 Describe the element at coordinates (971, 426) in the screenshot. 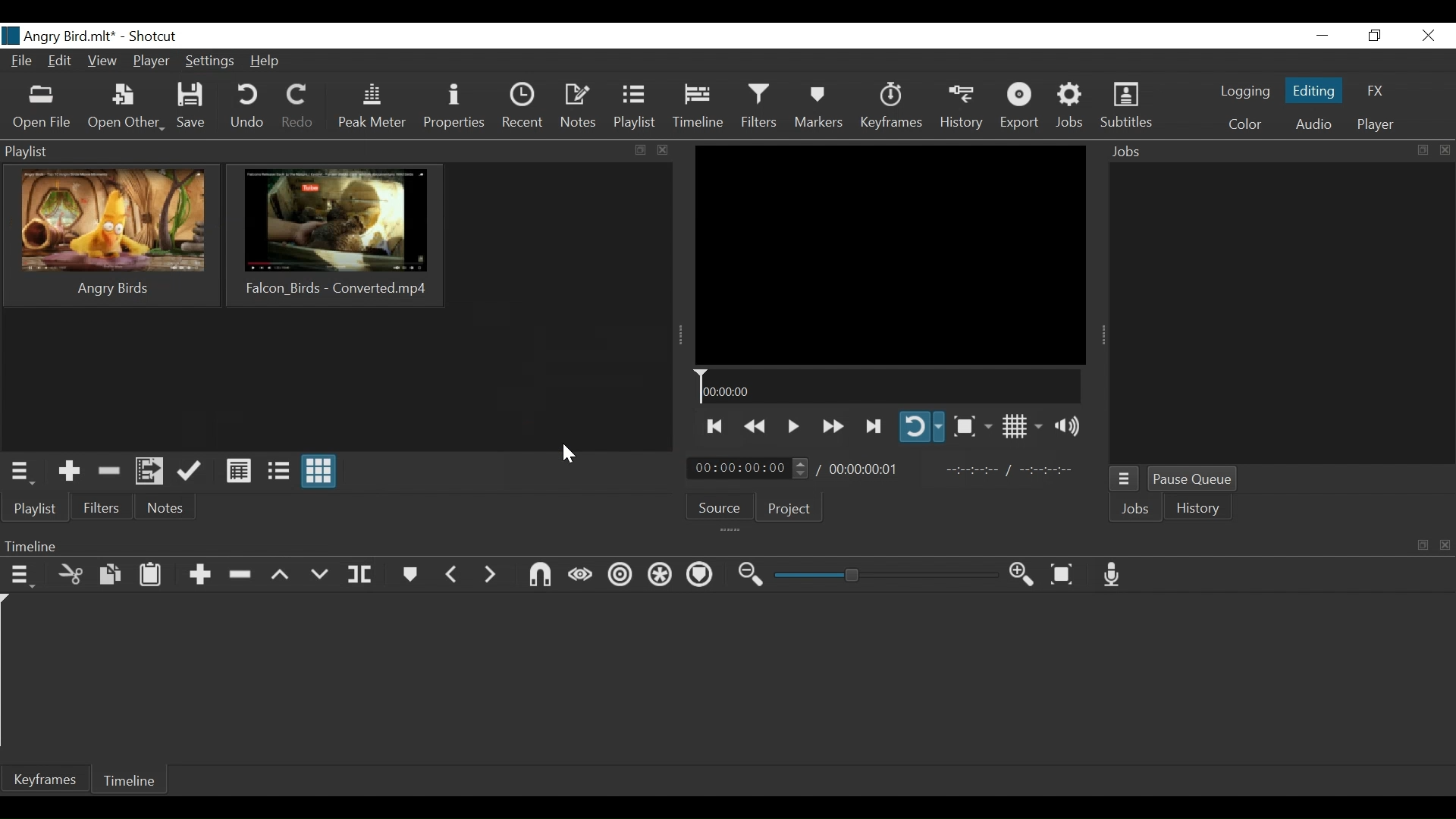

I see `Toggle Zoom` at that location.